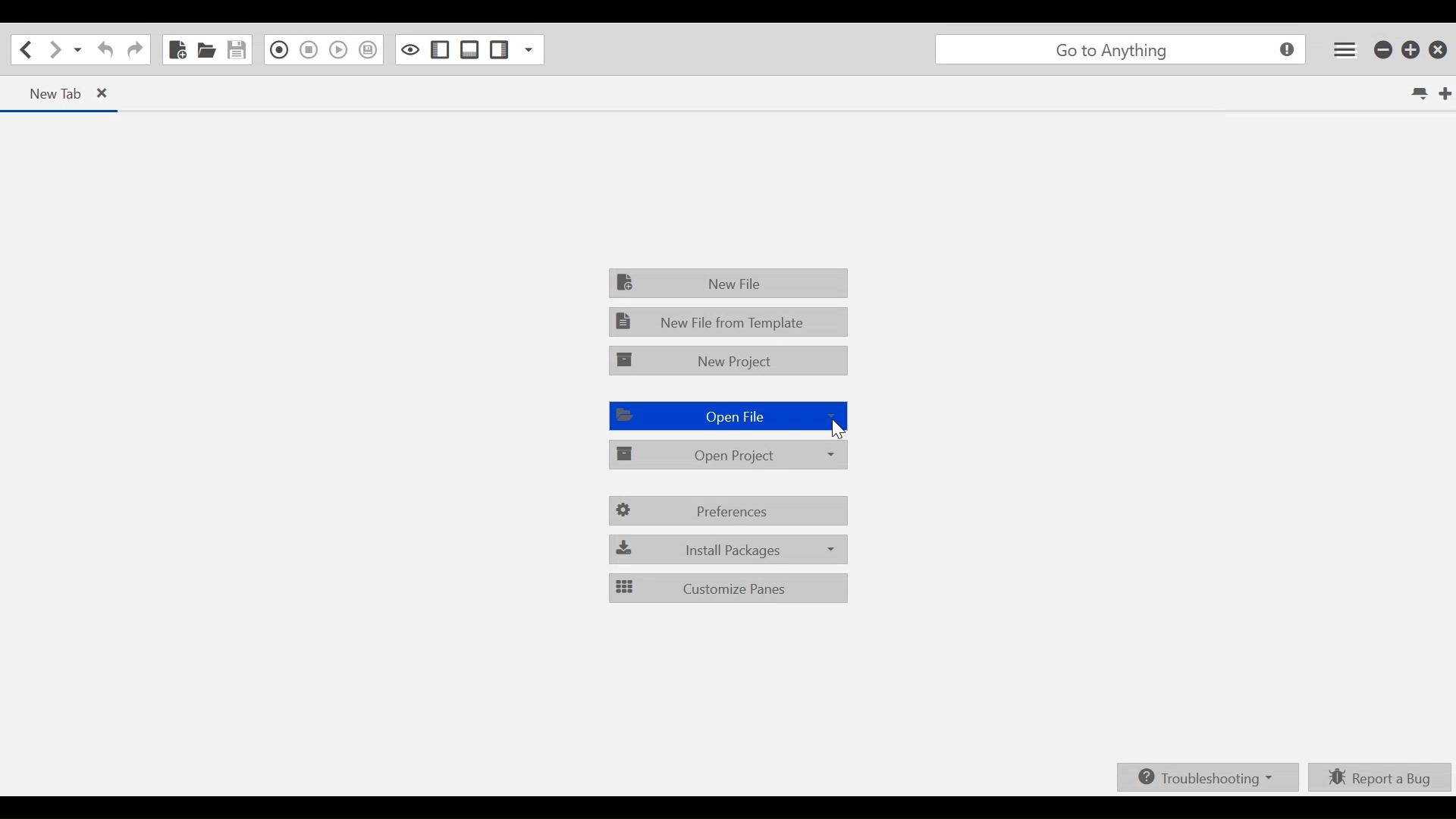 This screenshot has width=1456, height=819. What do you see at coordinates (409, 49) in the screenshot?
I see `Toggle Focus mode` at bounding box center [409, 49].